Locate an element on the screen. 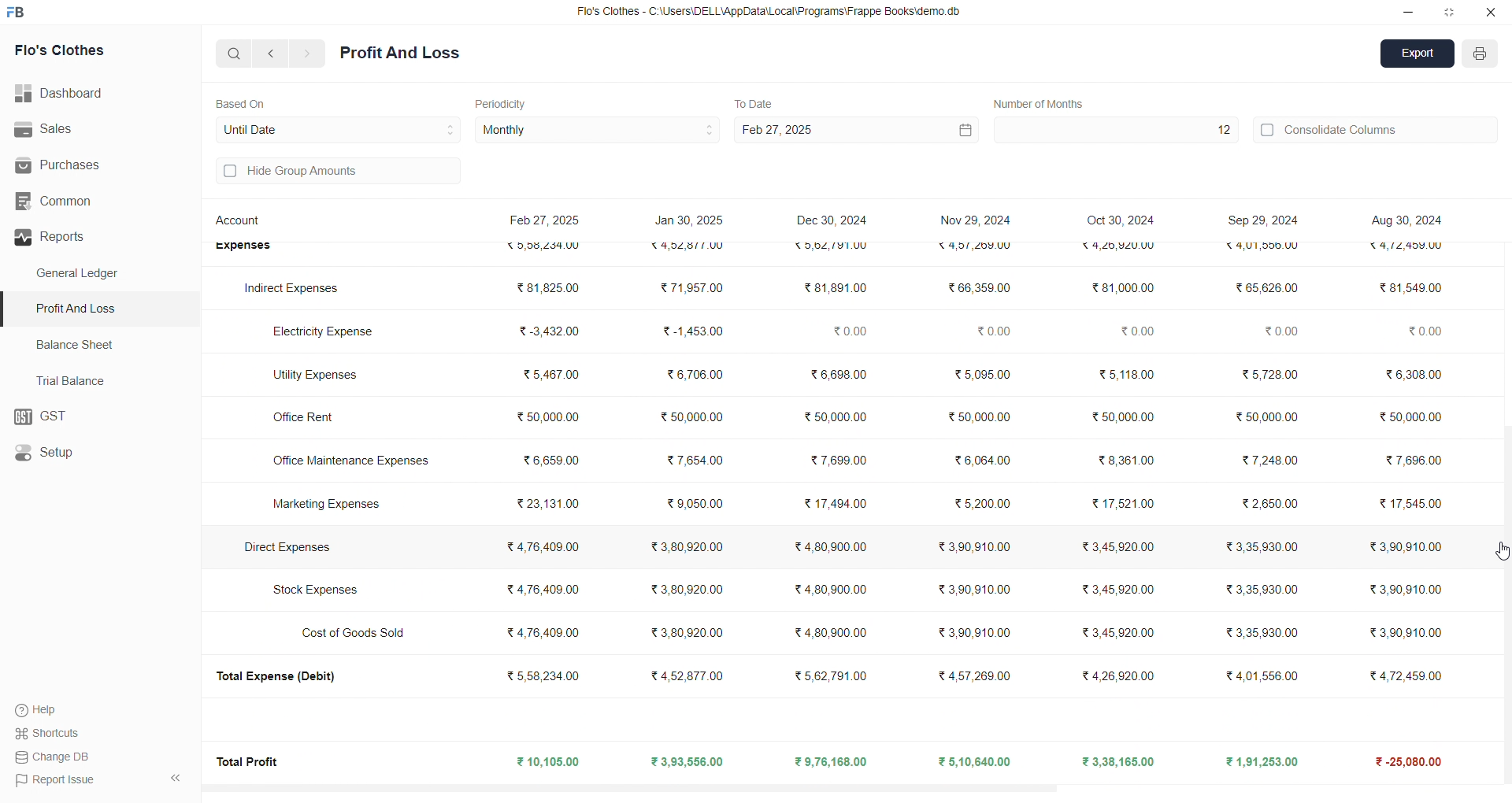 The width and height of the screenshot is (1512, 803). Dashboard is located at coordinates (67, 94).